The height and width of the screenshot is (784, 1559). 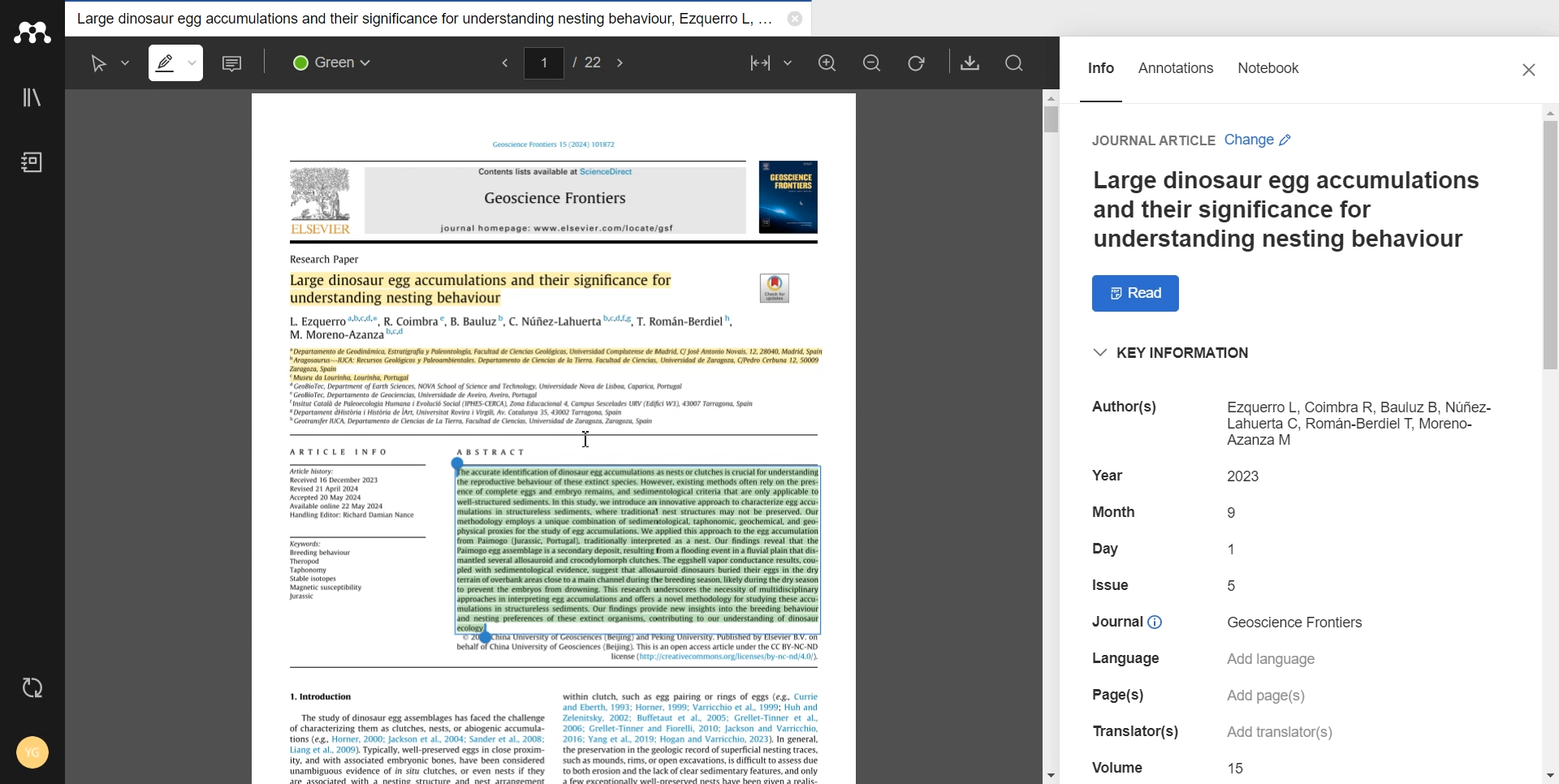 I want to click on text, so click(x=1125, y=660).